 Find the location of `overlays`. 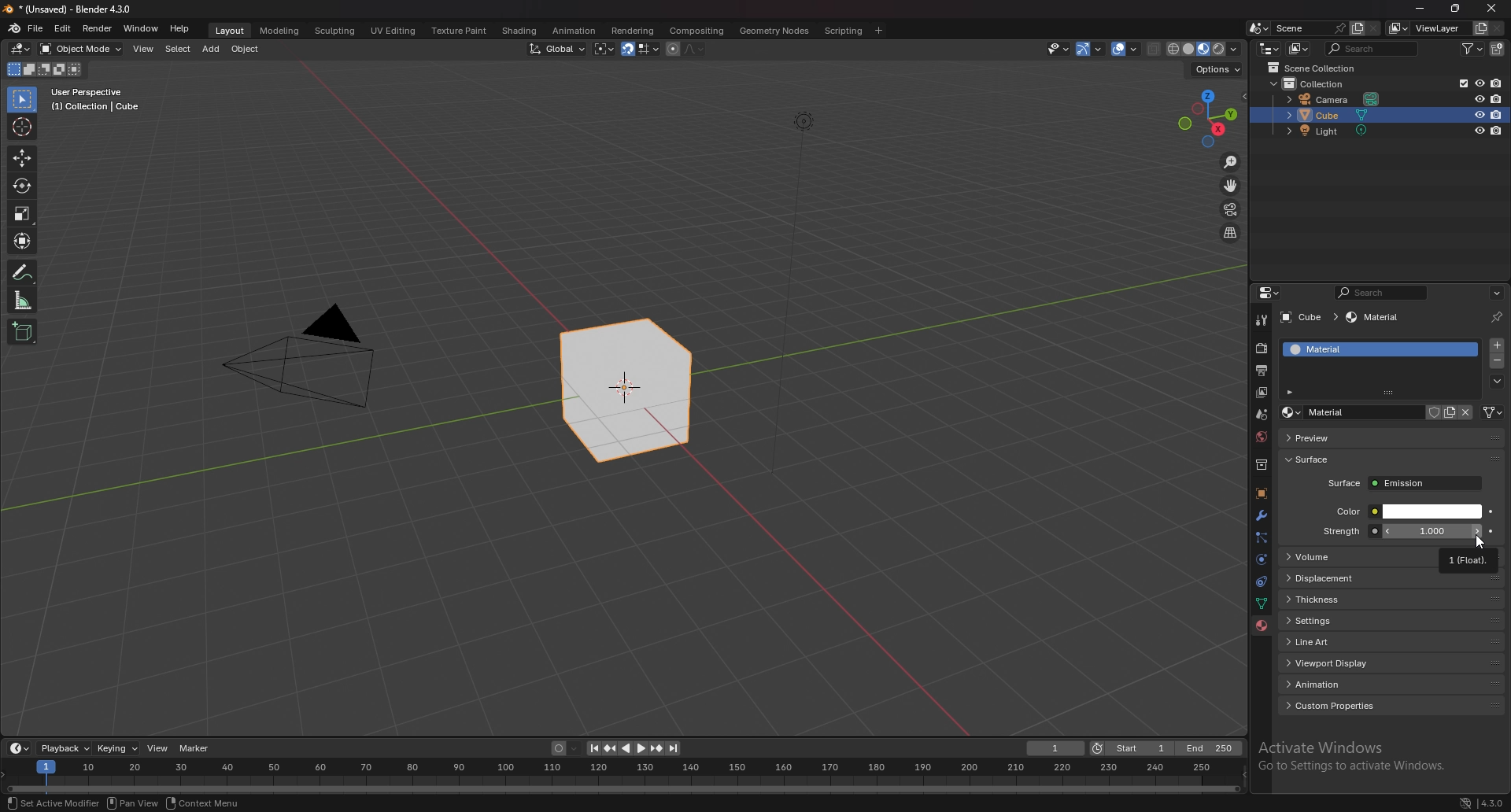

overlays is located at coordinates (1127, 50).